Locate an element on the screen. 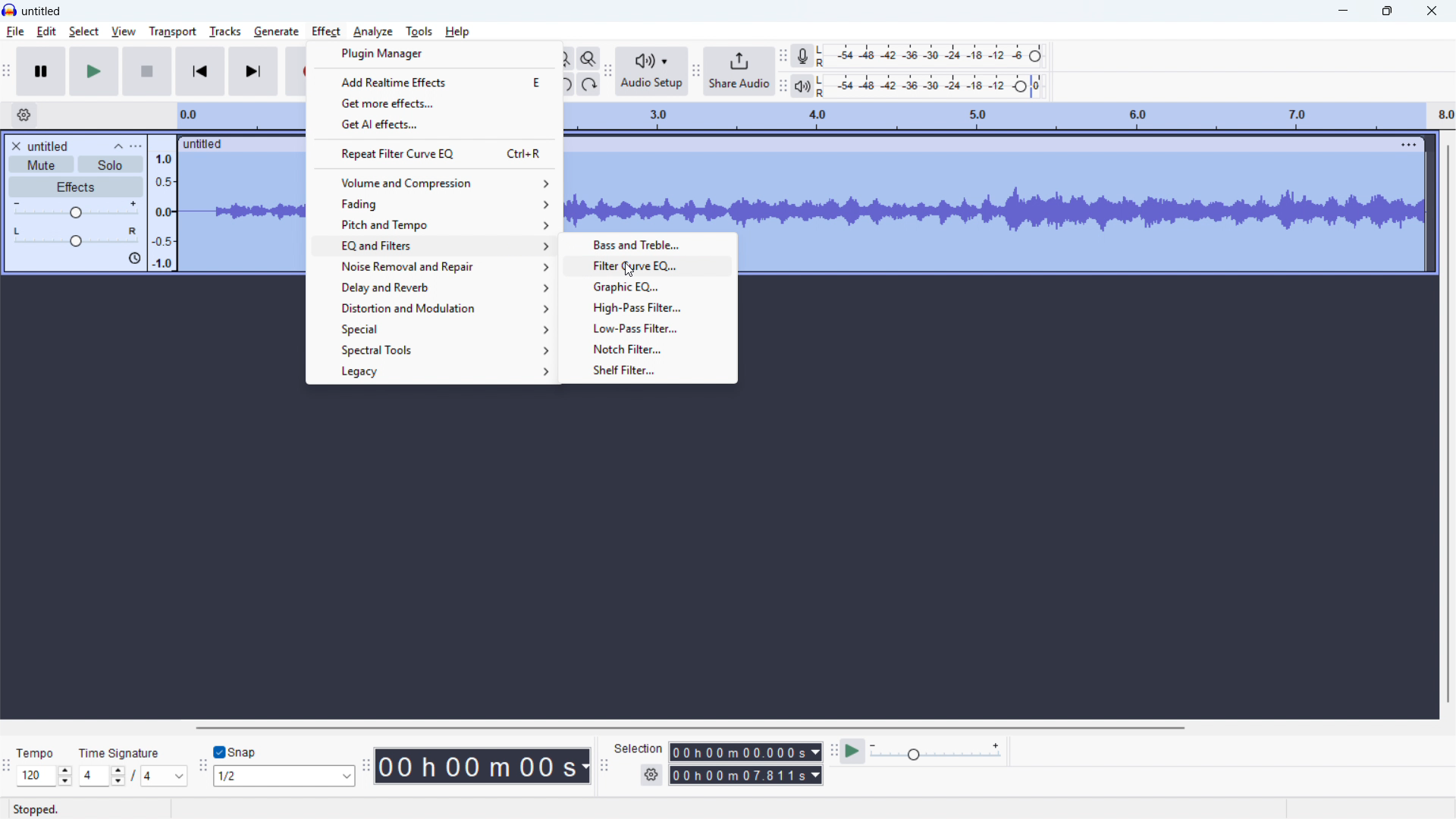 The height and width of the screenshot is (819, 1456). filter curve eq is located at coordinates (646, 265).